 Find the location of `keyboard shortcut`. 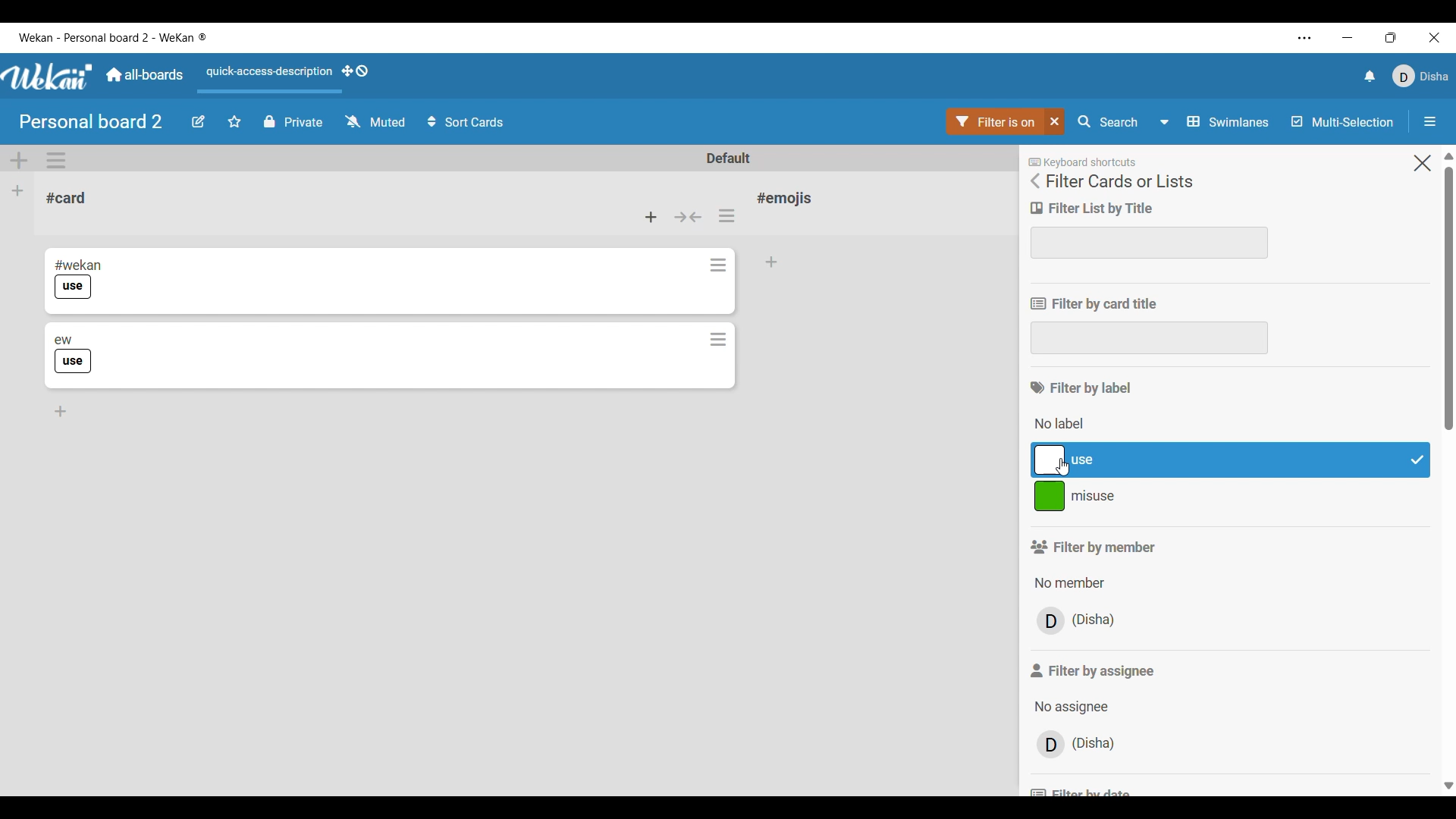

keyboard shortcut is located at coordinates (1087, 161).